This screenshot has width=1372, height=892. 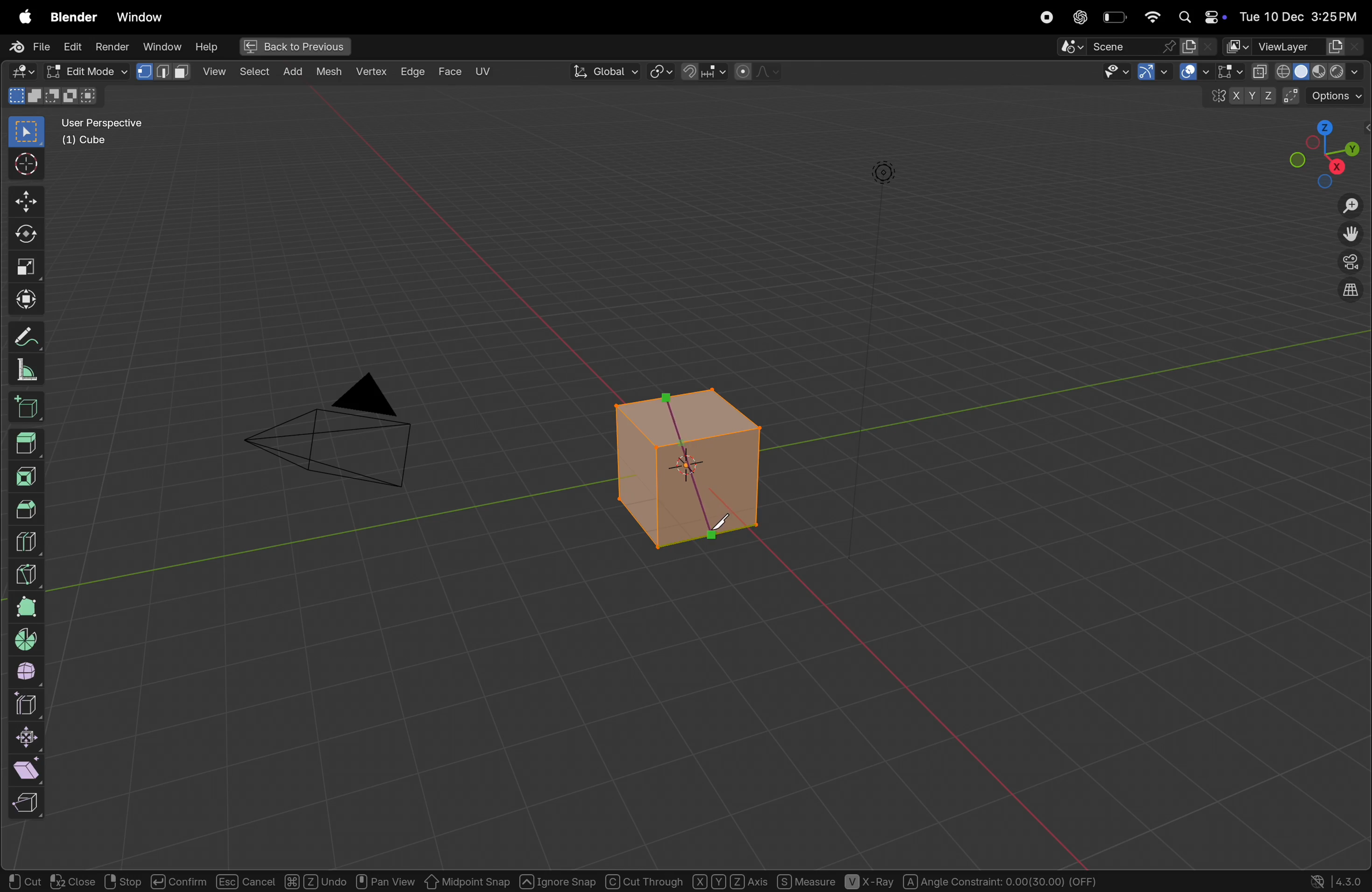 What do you see at coordinates (29, 475) in the screenshot?
I see `insert faces` at bounding box center [29, 475].